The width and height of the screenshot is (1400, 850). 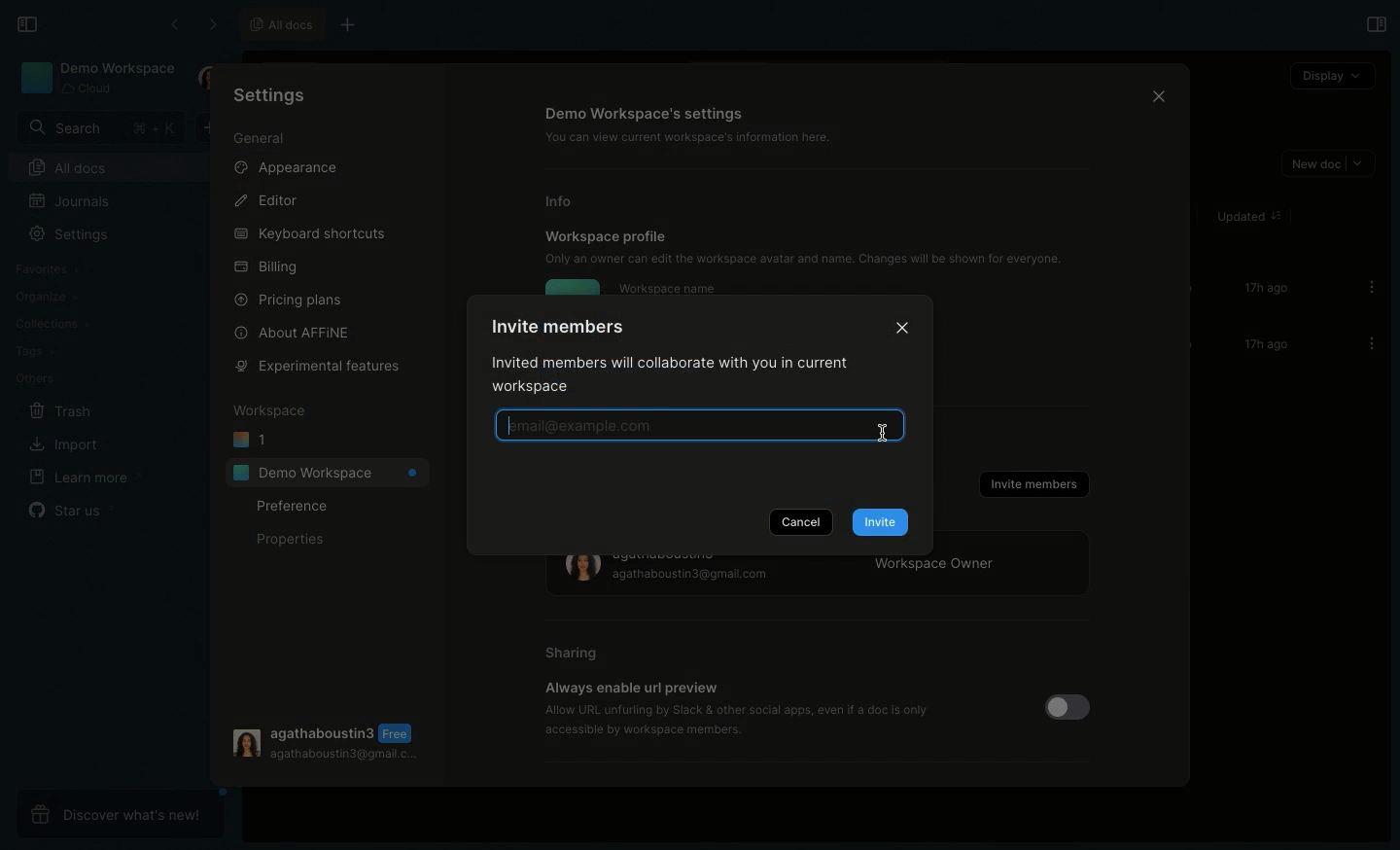 I want to click on 1, so click(x=251, y=441).